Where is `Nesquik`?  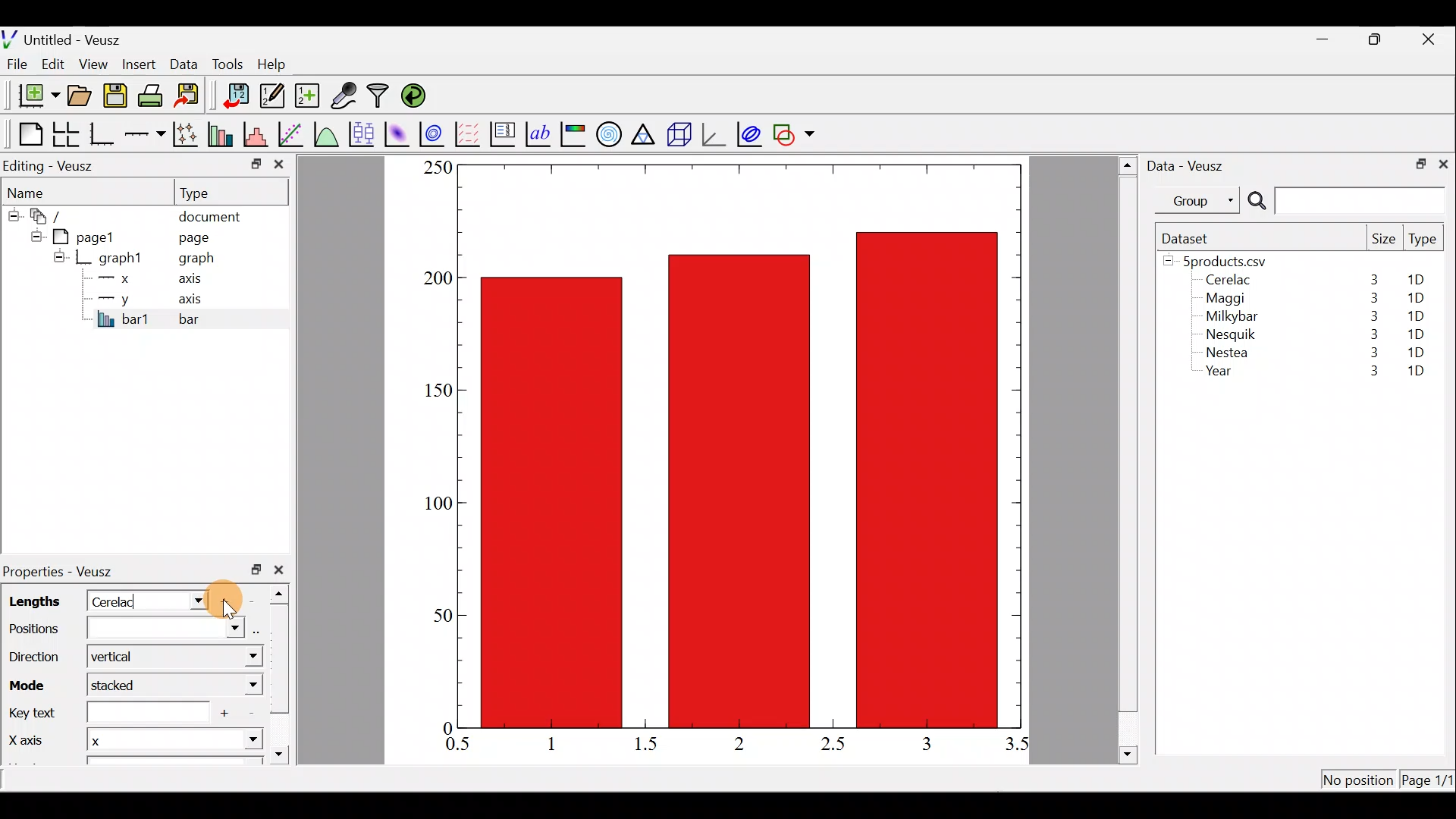
Nesquik is located at coordinates (1228, 334).